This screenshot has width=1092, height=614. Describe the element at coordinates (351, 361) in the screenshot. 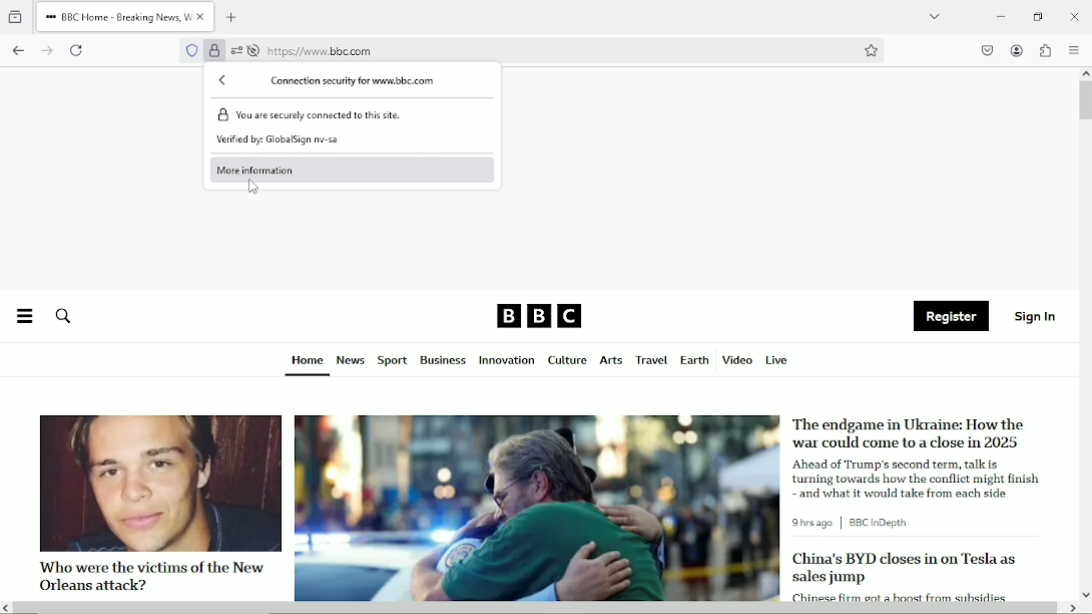

I see `News` at that location.